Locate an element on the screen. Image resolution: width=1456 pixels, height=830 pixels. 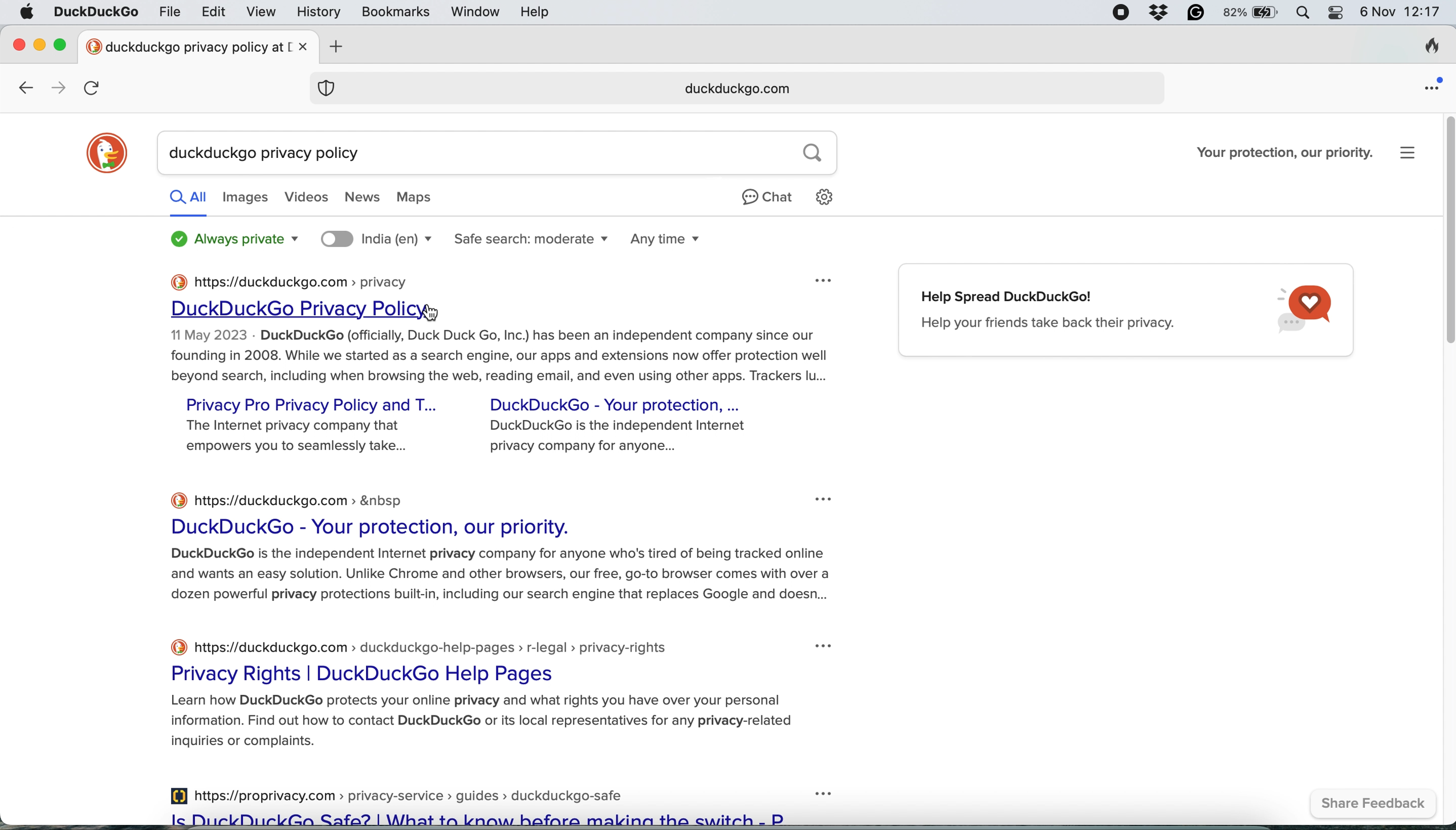
file is located at coordinates (172, 11).